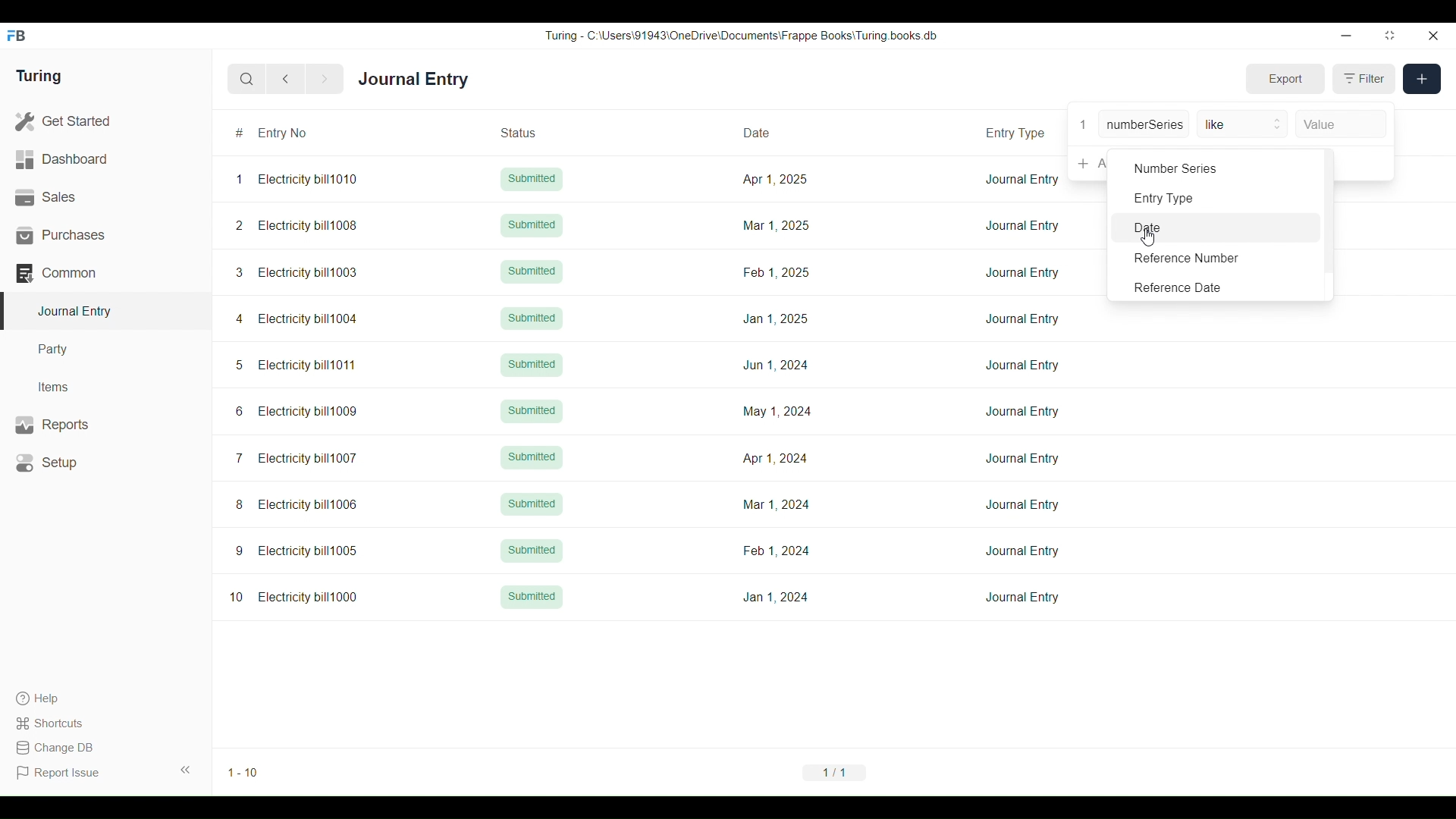 The width and height of the screenshot is (1456, 819). What do you see at coordinates (1363, 164) in the screenshot?
I see `Add a filter` at bounding box center [1363, 164].